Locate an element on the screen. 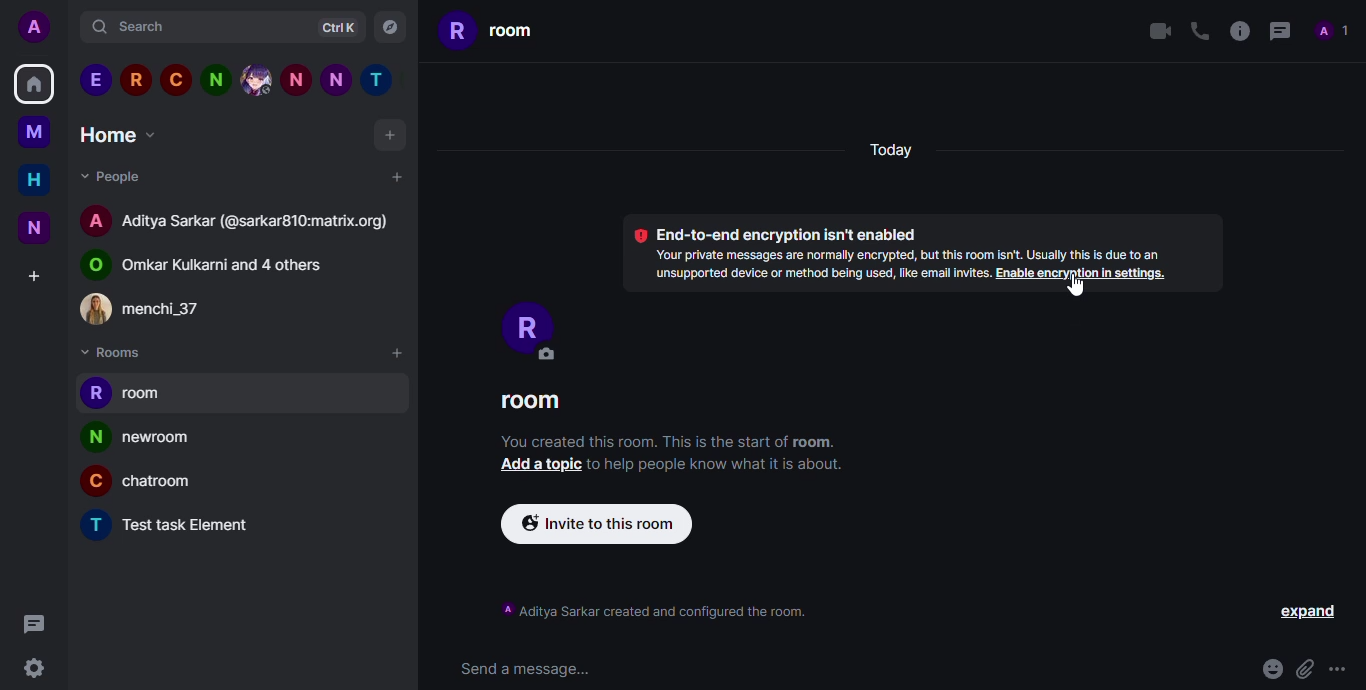 The image size is (1366, 690). add is located at coordinates (398, 349).